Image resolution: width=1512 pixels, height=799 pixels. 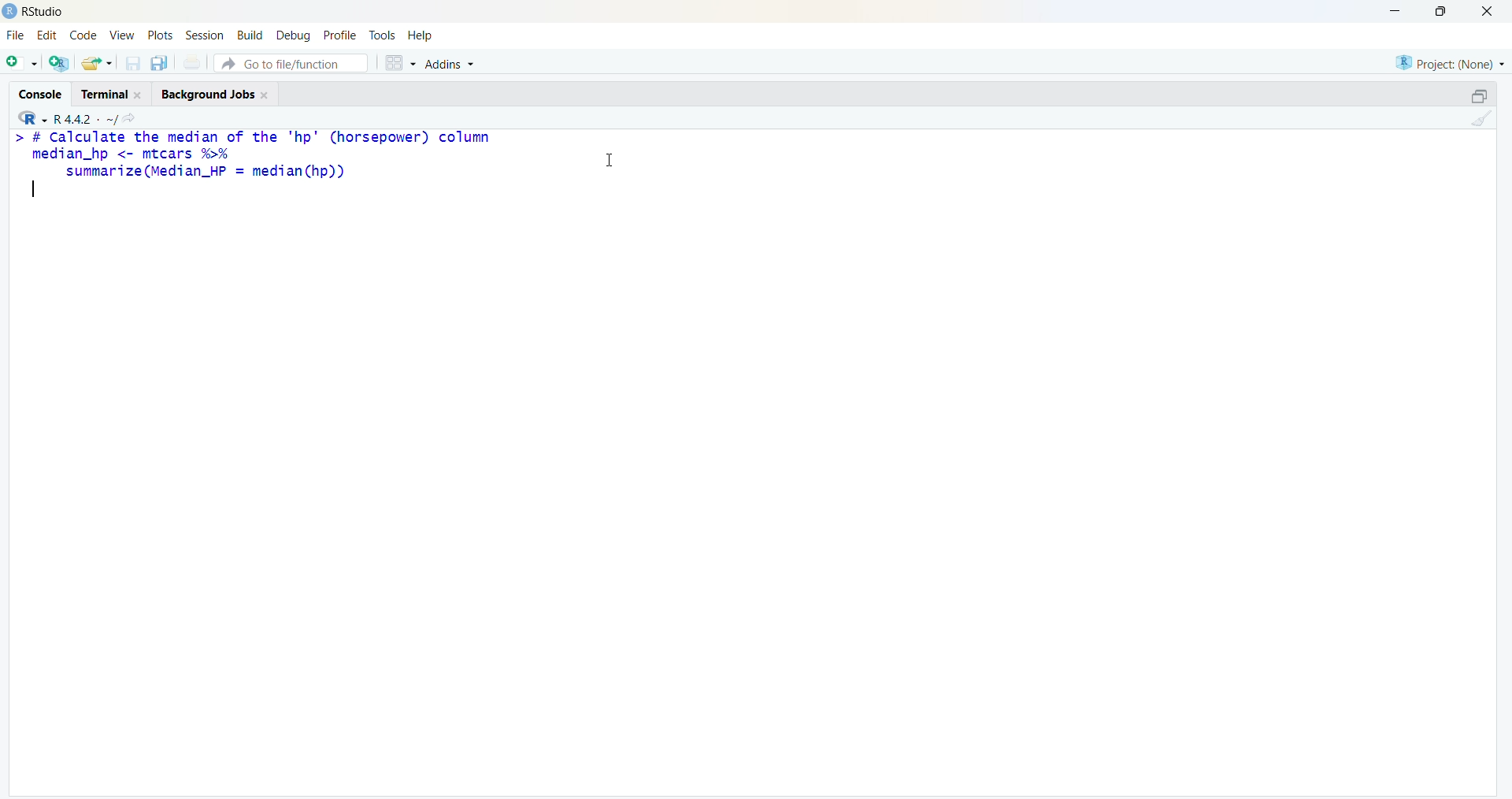 I want to click on share icon, so click(x=129, y=120).